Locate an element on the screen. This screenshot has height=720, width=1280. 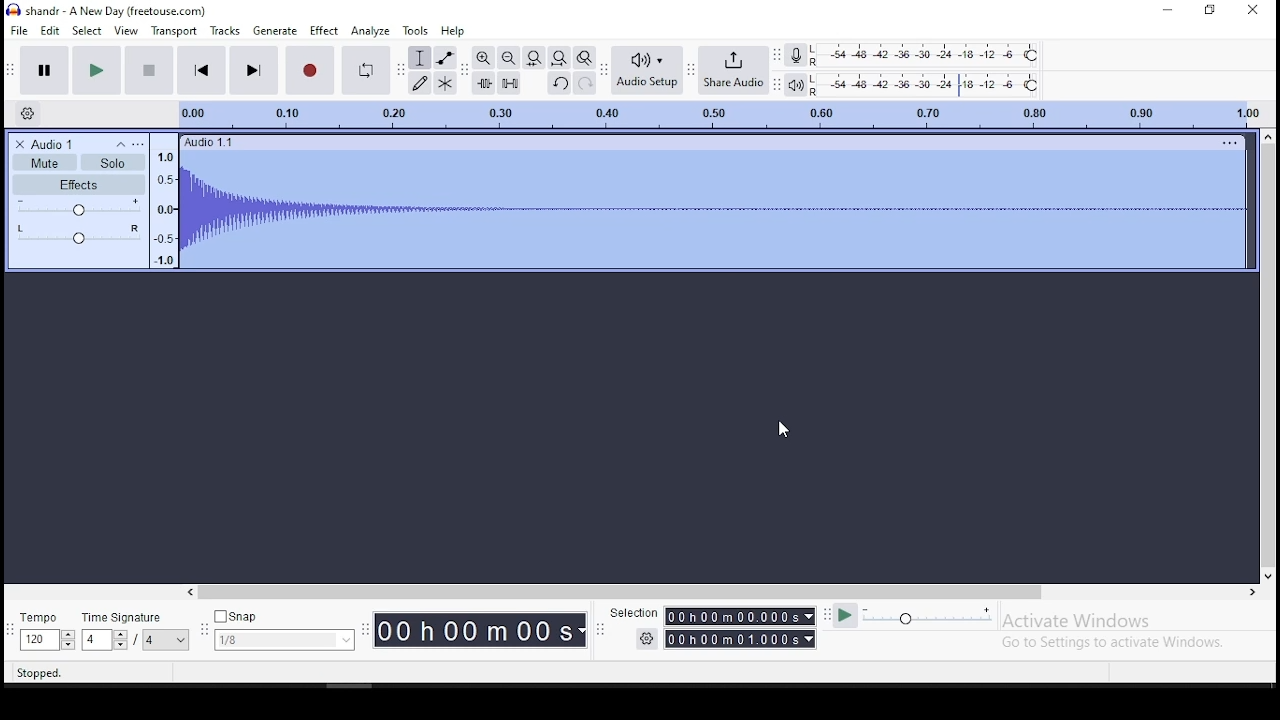
restore is located at coordinates (1208, 10).